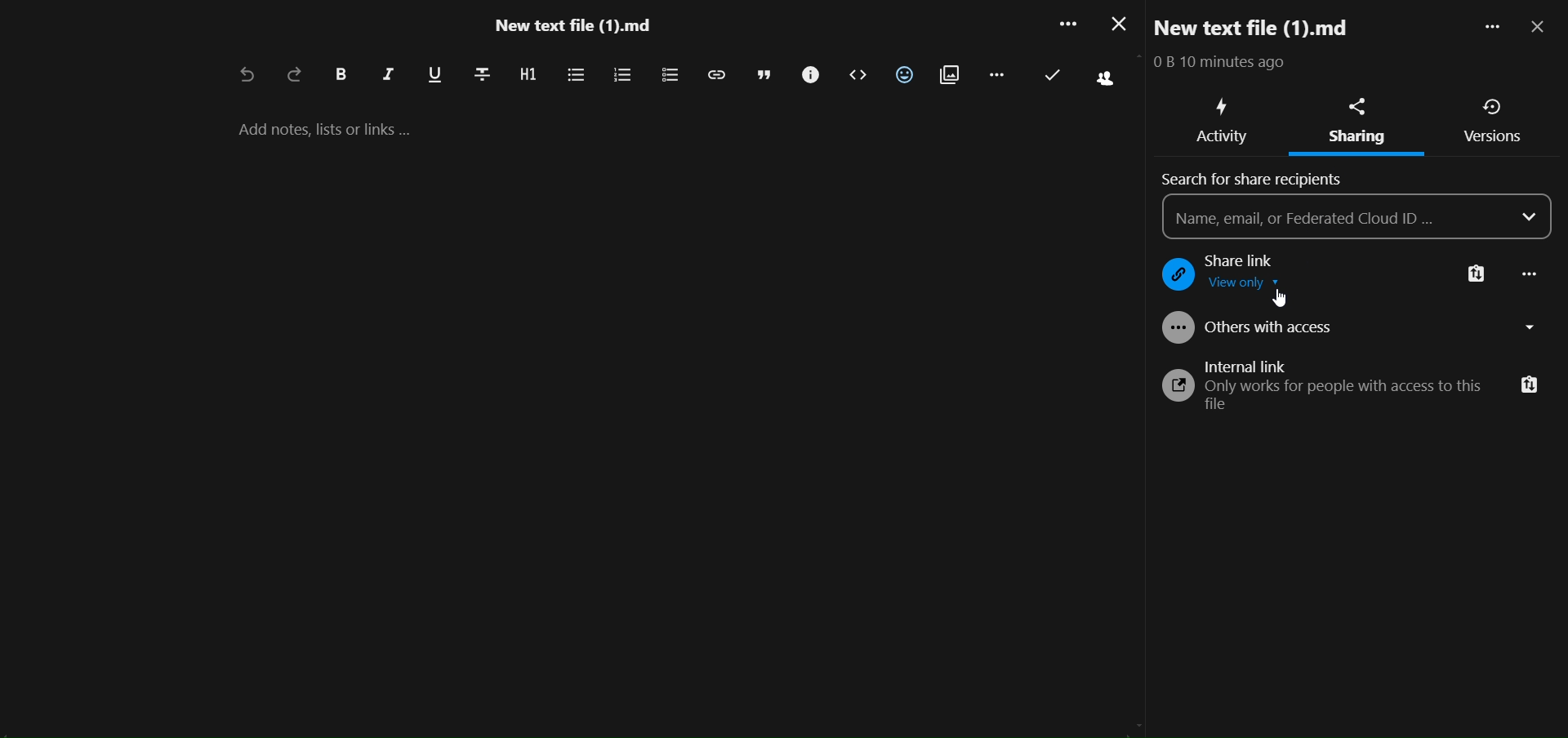 This screenshot has height=738, width=1568. I want to click on more, so click(1532, 276).